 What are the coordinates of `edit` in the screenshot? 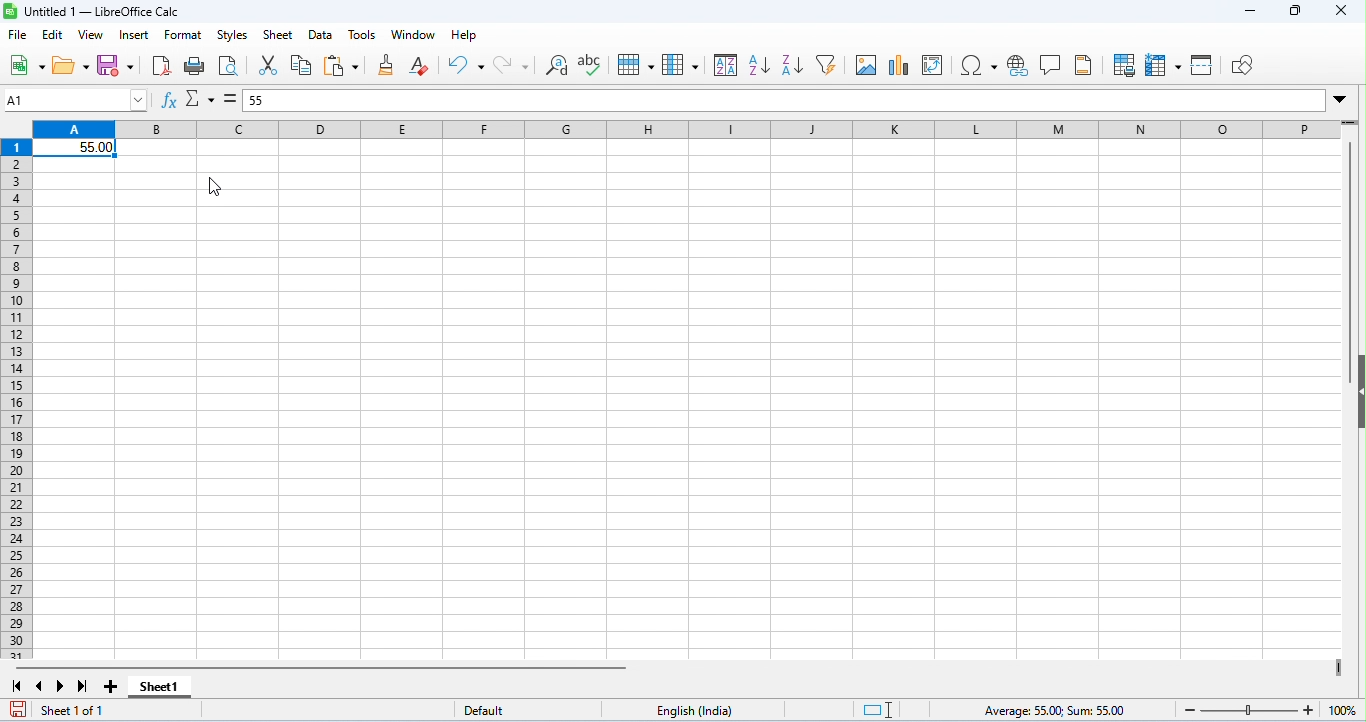 It's located at (53, 35).